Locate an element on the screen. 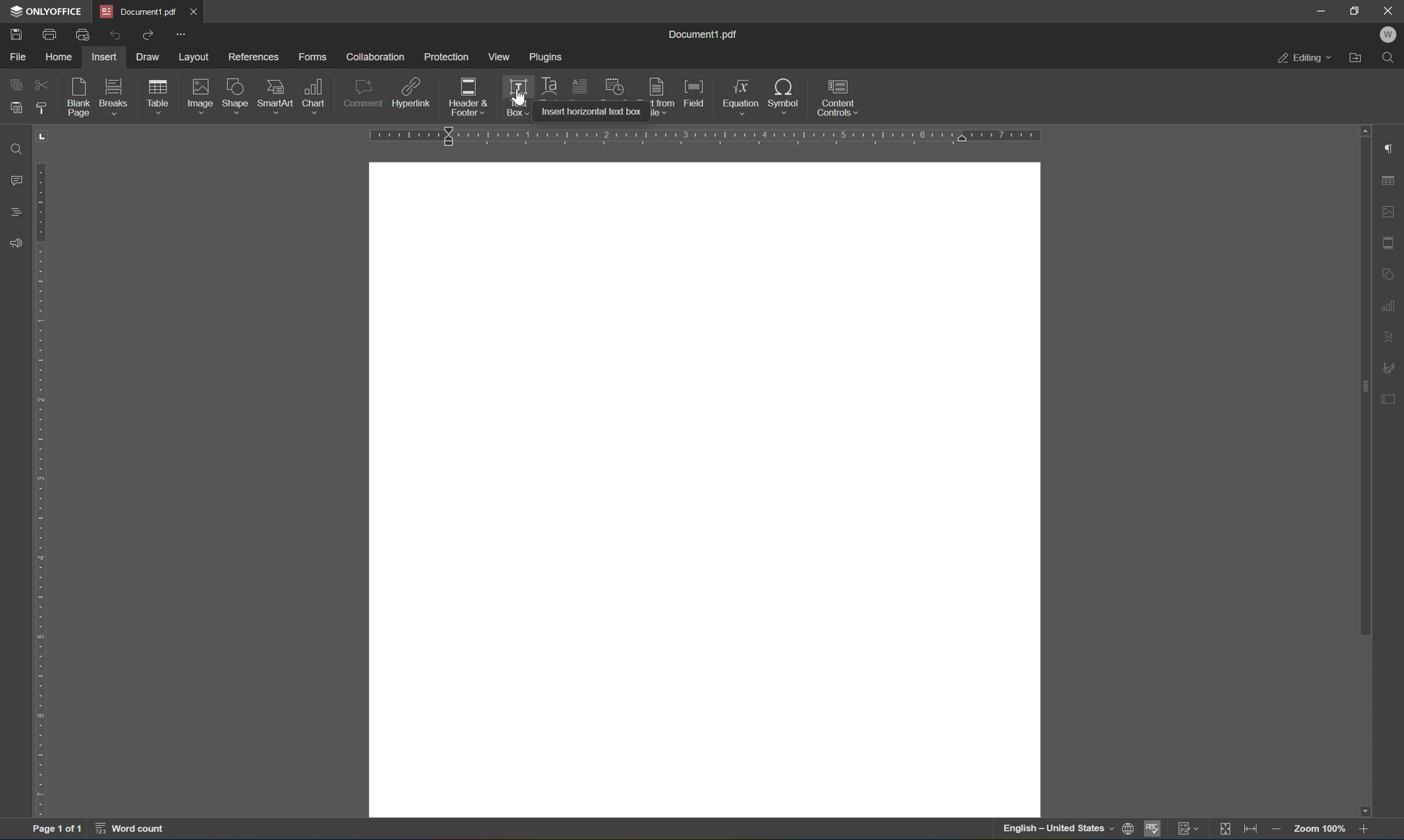  Welcome is located at coordinates (1390, 36).